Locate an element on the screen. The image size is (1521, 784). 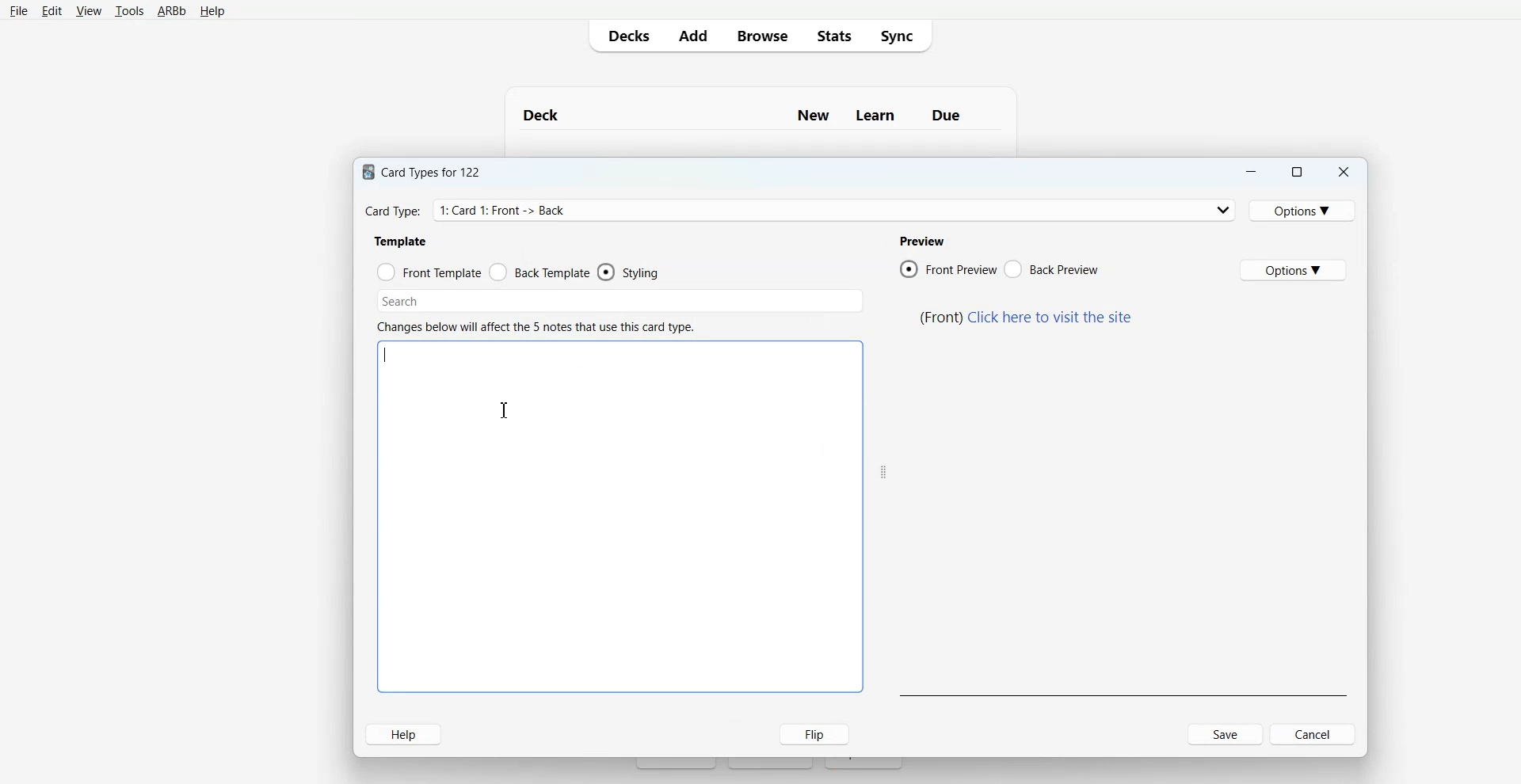
Back Preview is located at coordinates (1051, 268).